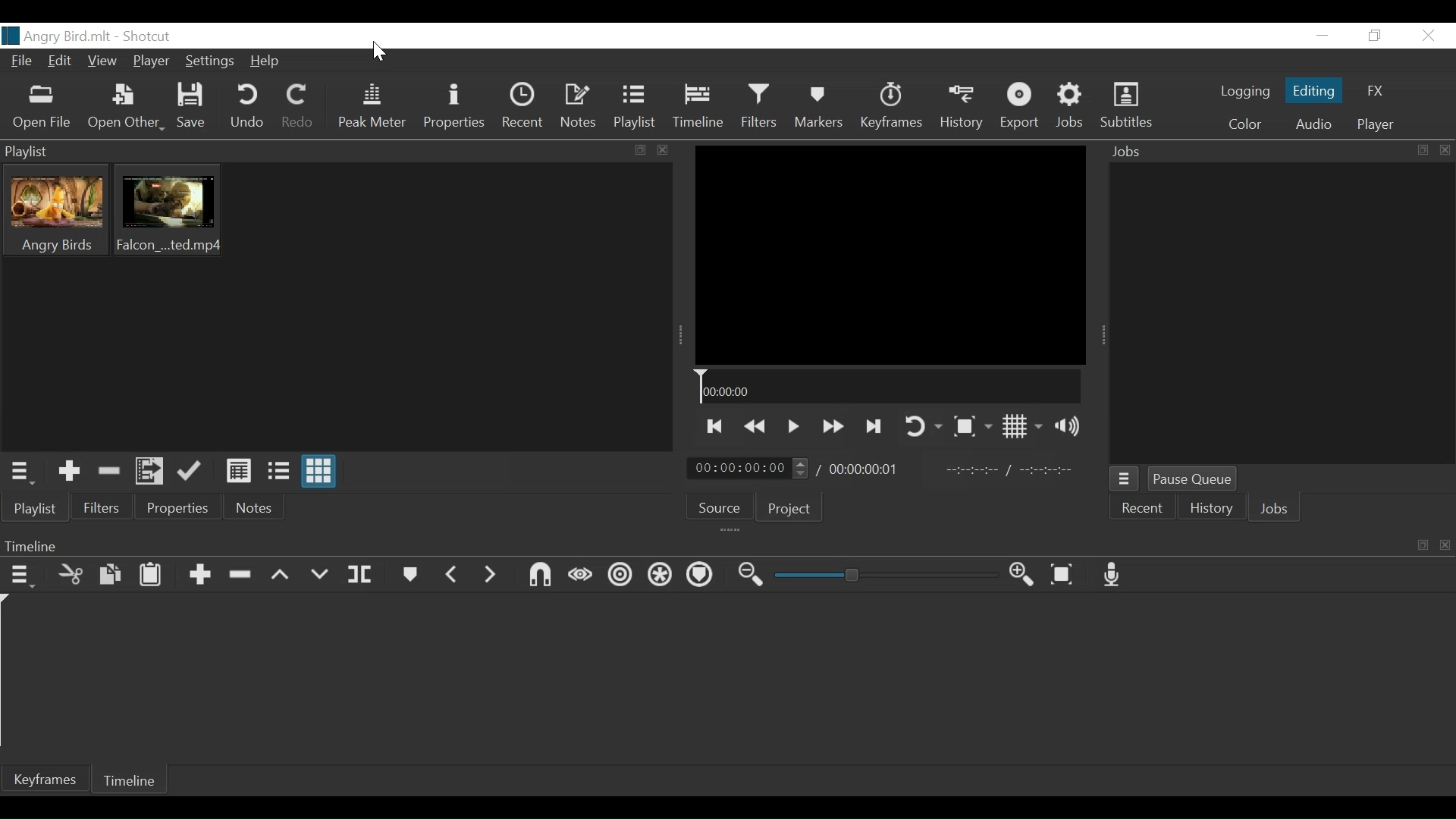 This screenshot has height=819, width=1456. I want to click on Subtitles, so click(1125, 107).